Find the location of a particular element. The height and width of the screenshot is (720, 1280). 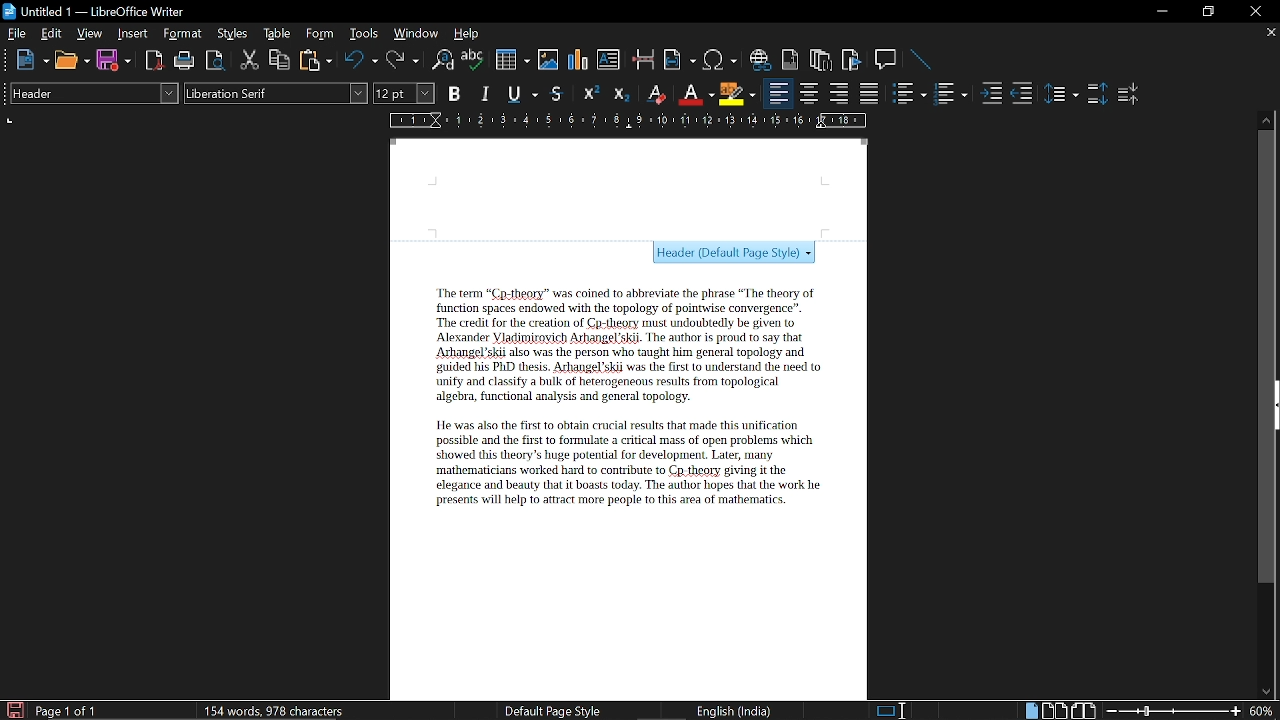

page style Page style is located at coordinates (556, 711).